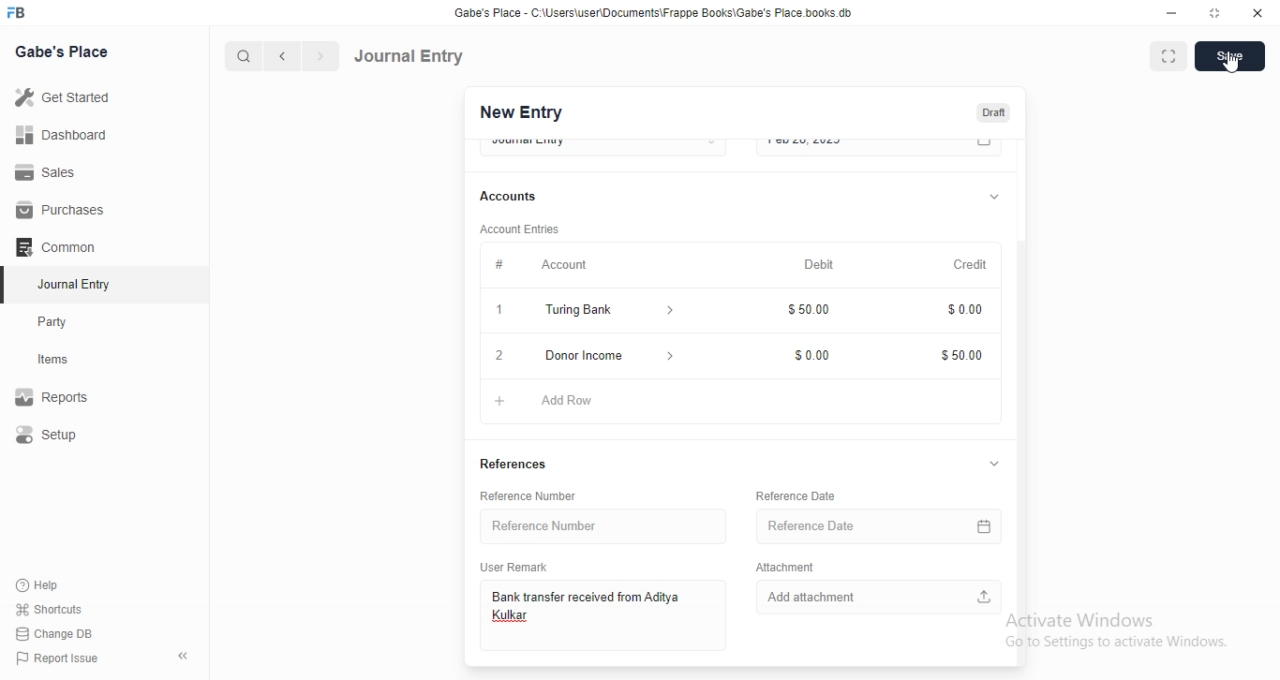  Describe the element at coordinates (279, 56) in the screenshot. I see `previous` at that location.